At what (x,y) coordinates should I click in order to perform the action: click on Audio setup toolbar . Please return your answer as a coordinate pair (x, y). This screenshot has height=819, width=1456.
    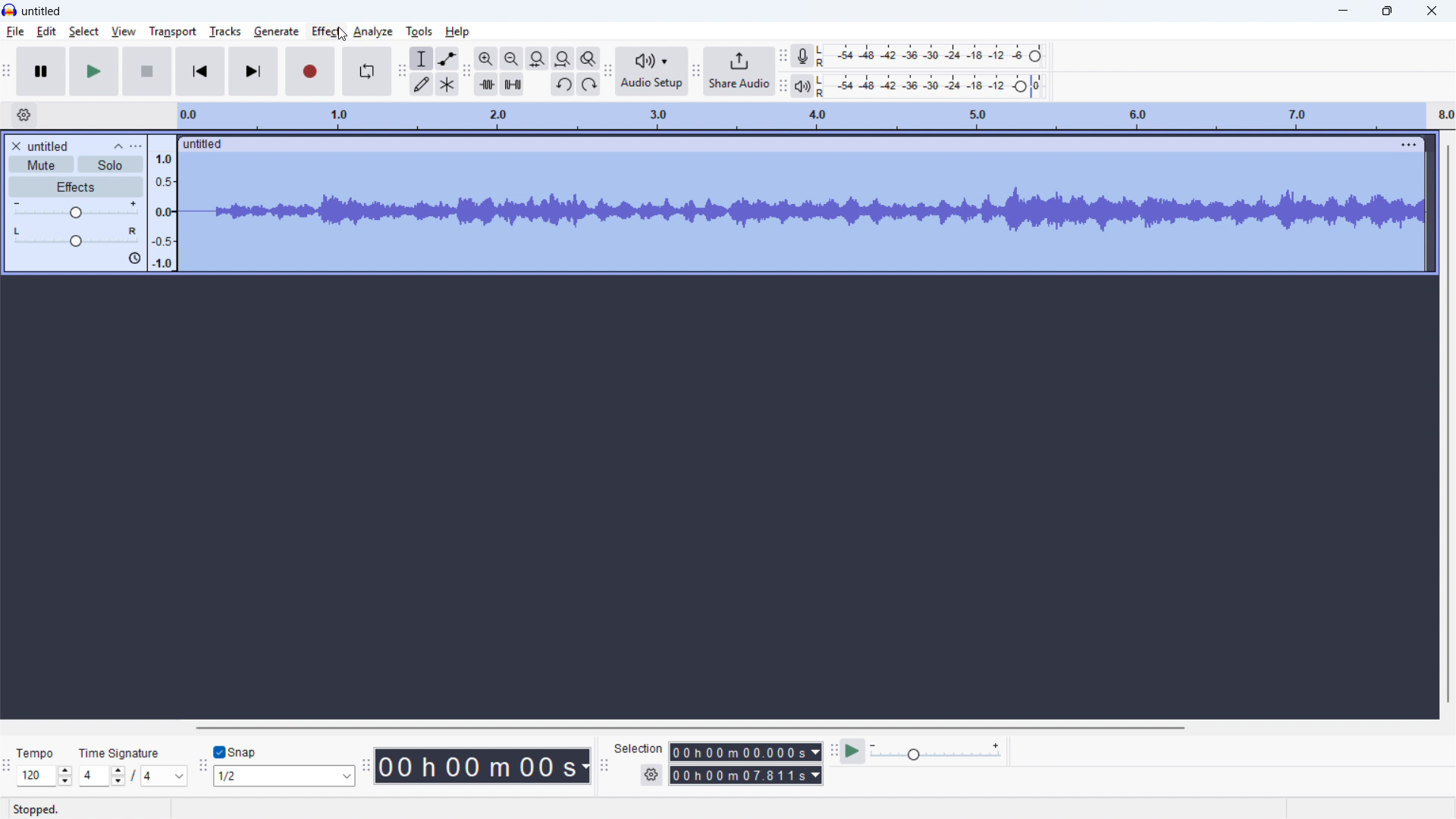
    Looking at the image, I should click on (608, 72).